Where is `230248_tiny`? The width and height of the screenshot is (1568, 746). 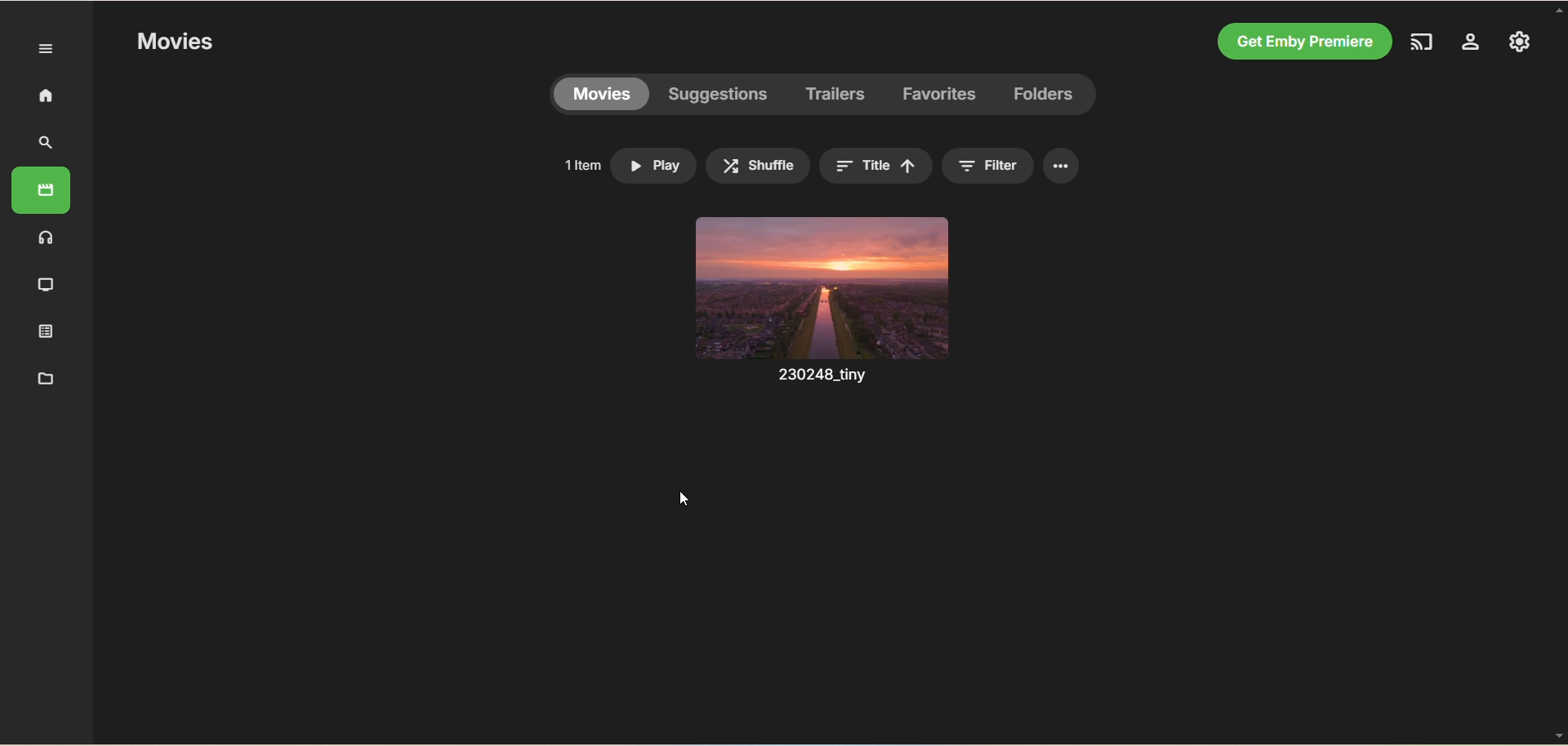 230248_tiny is located at coordinates (815, 377).